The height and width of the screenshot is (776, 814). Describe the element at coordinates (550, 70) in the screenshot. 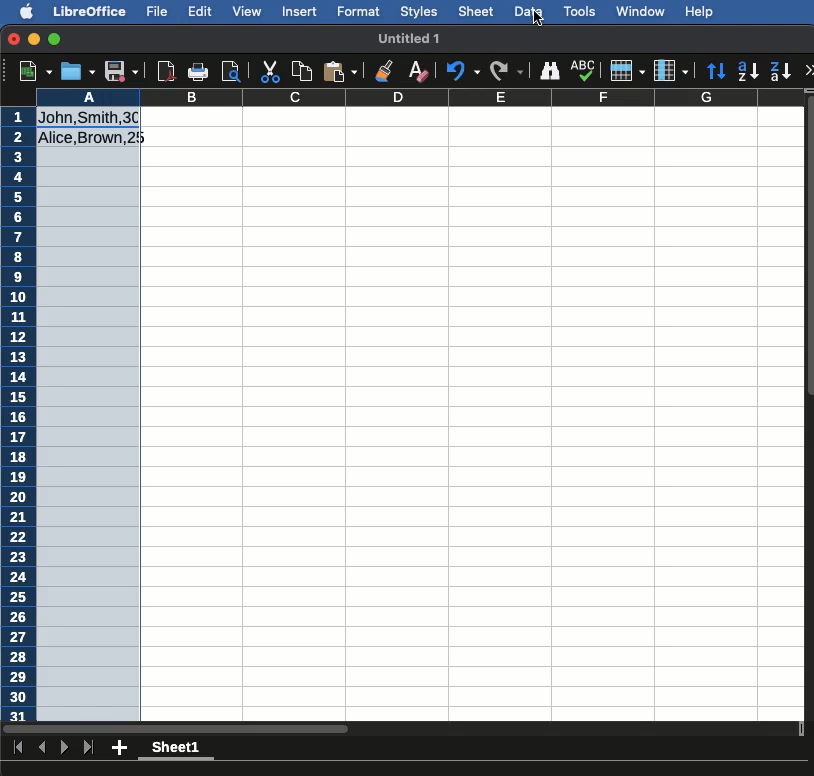

I see `Finding` at that location.